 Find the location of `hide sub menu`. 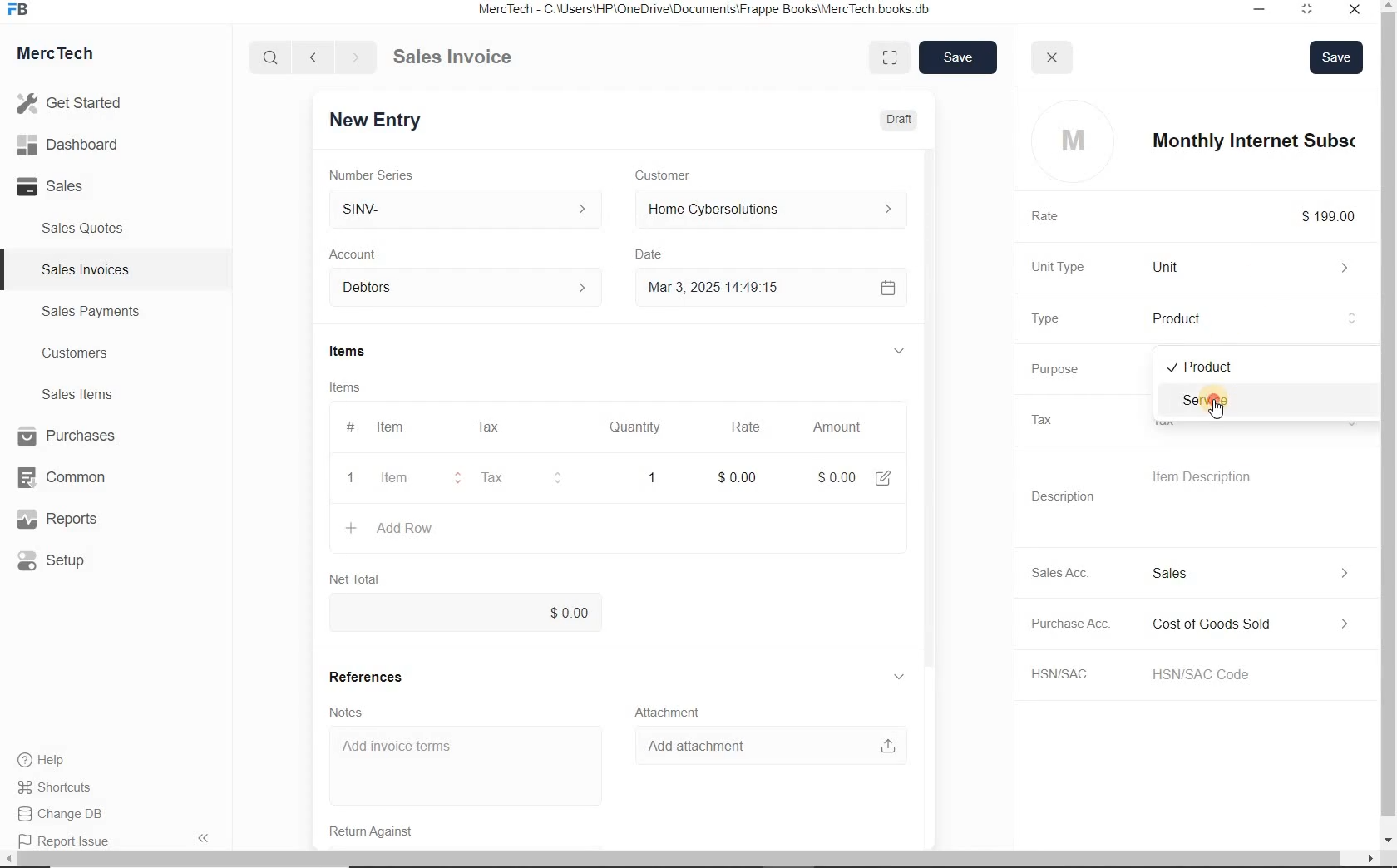

hide sub menu is located at coordinates (907, 352).